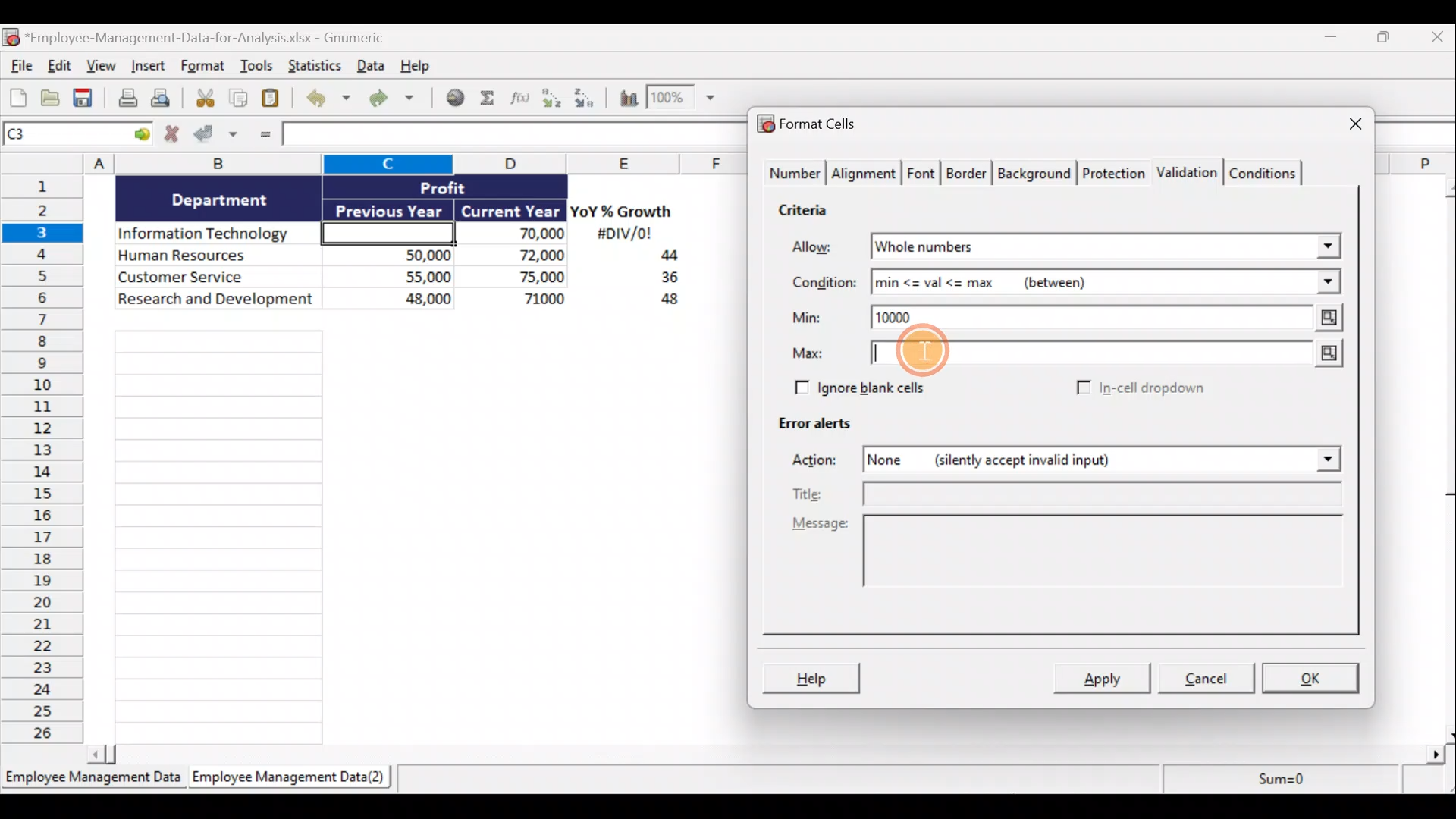 This screenshot has height=819, width=1456. Describe the element at coordinates (457, 98) in the screenshot. I see `Insert hyperlink` at that location.